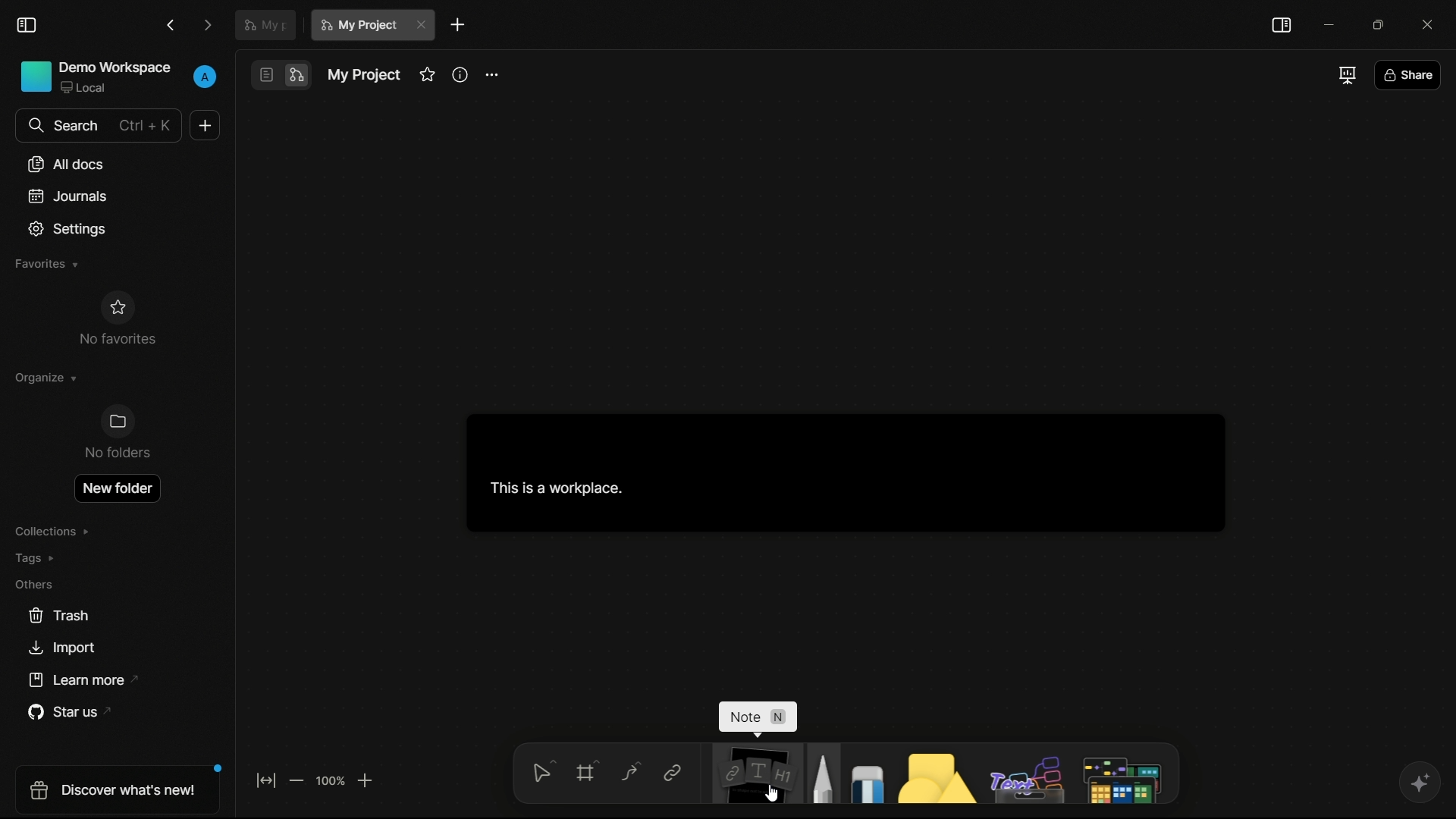 This screenshot has width=1456, height=819. I want to click on eraser, so click(863, 773).